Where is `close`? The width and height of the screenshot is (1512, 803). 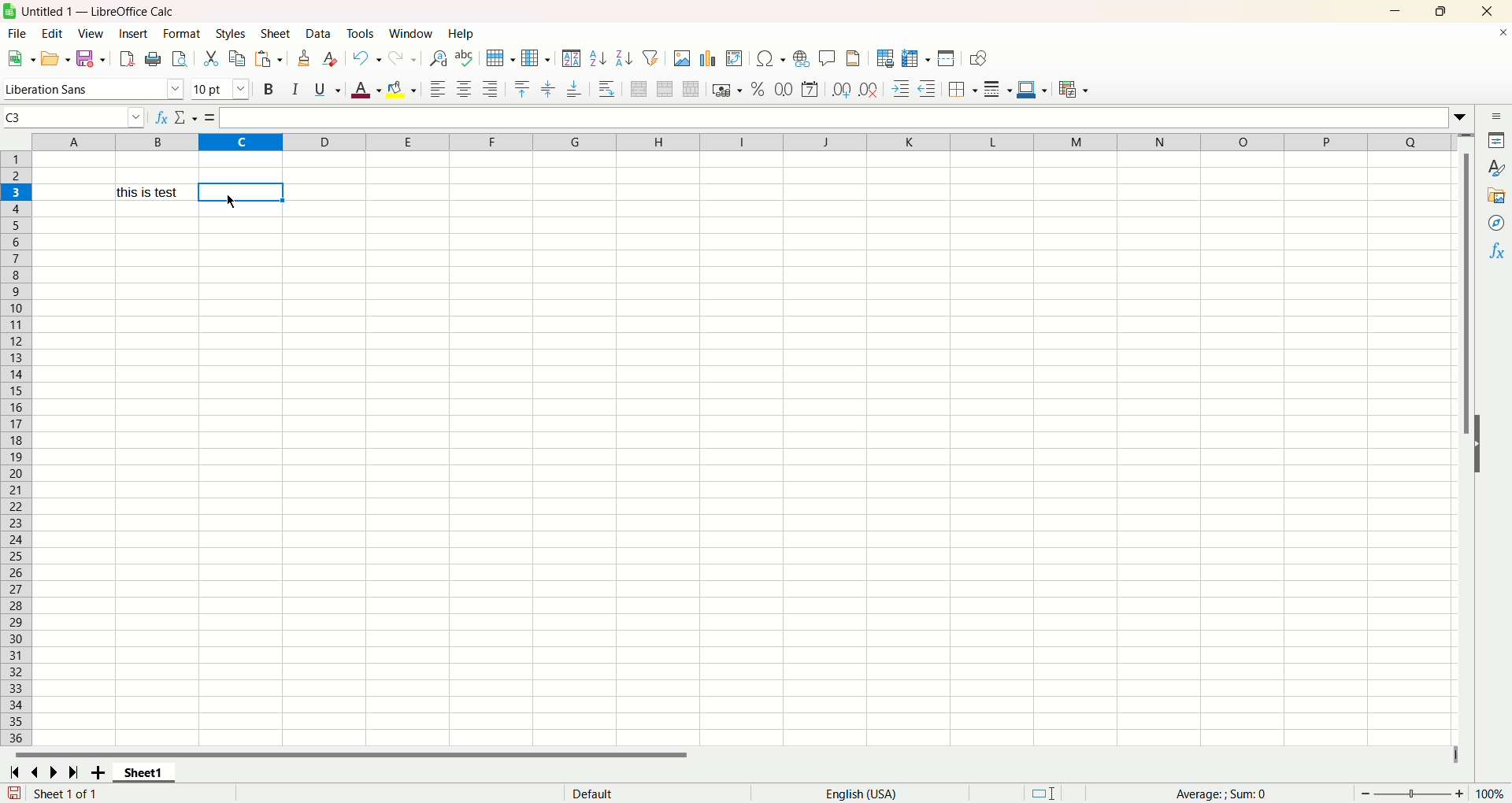
close is located at coordinates (1484, 12).